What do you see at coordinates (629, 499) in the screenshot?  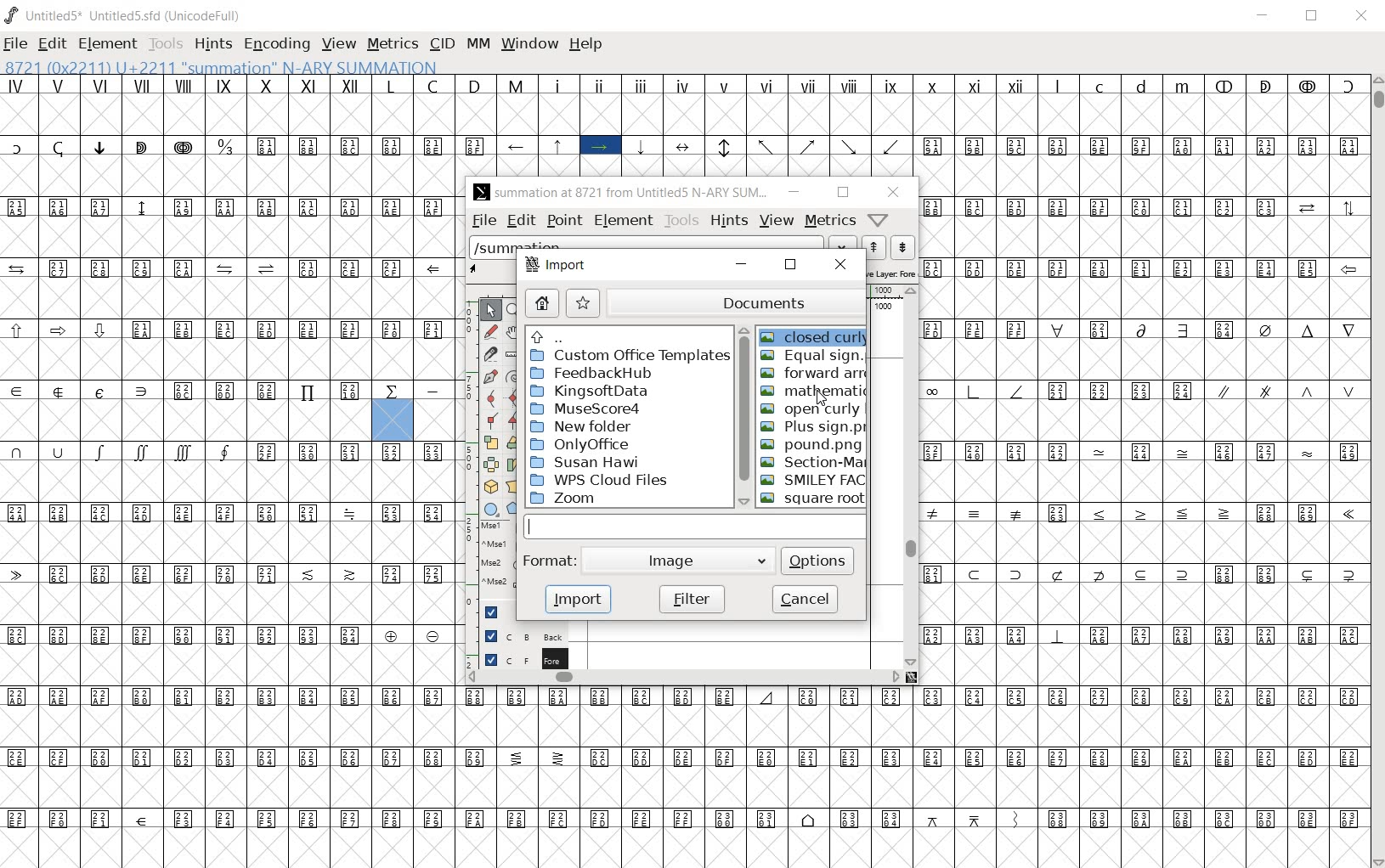 I see `zoom` at bounding box center [629, 499].